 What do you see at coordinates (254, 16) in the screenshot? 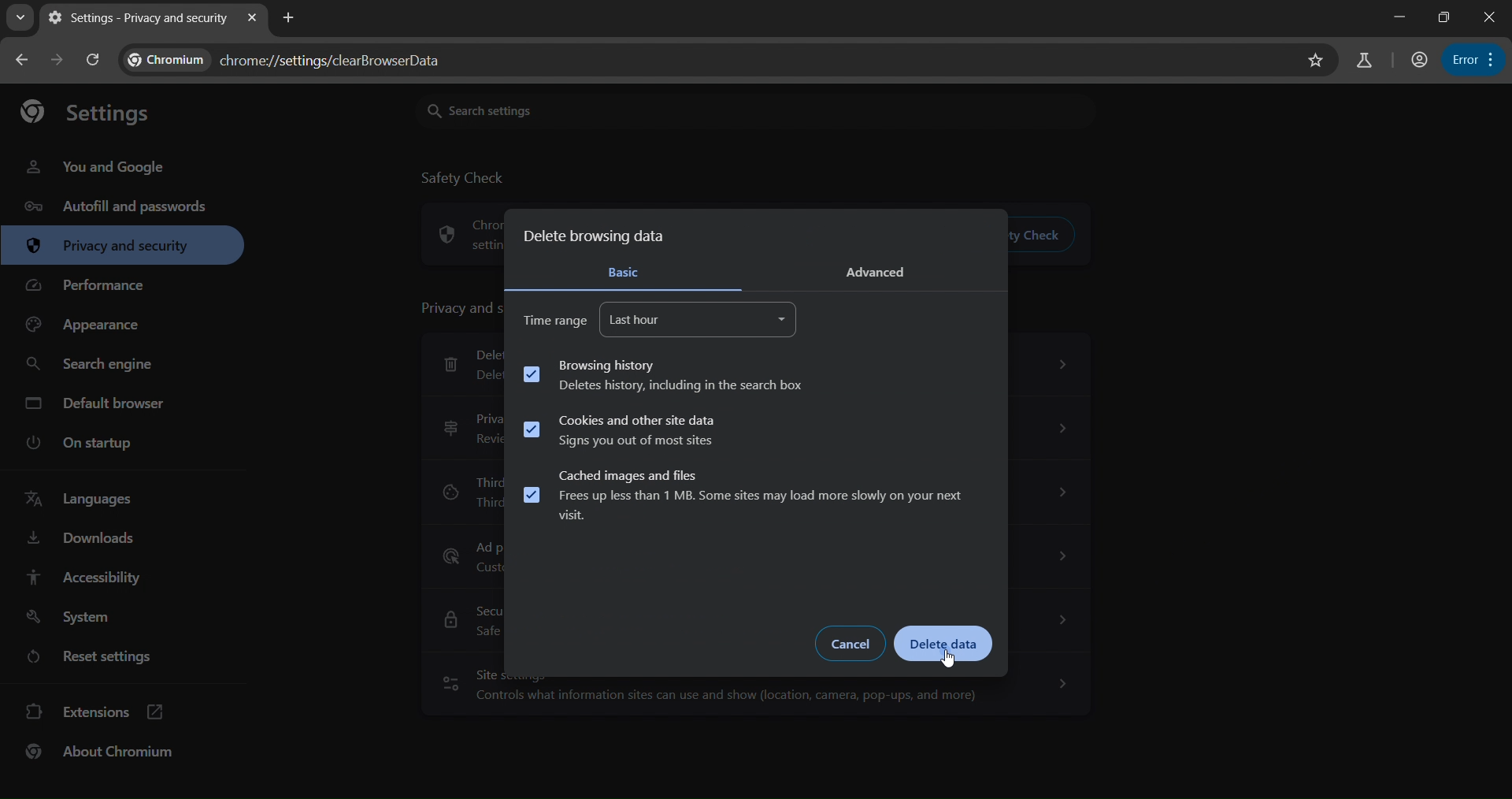
I see `close tab` at bounding box center [254, 16].